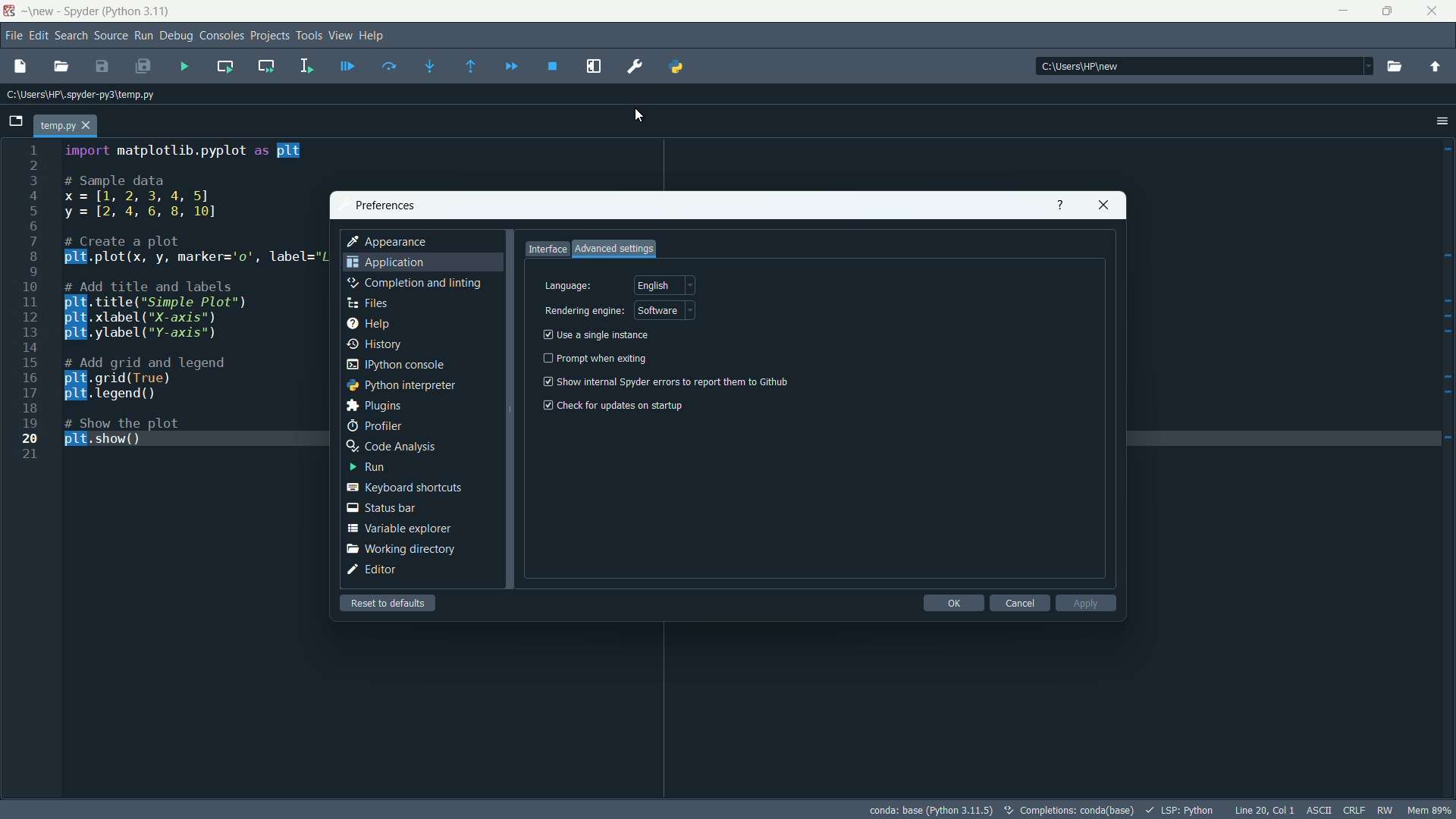 This screenshot has width=1456, height=819. What do you see at coordinates (398, 529) in the screenshot?
I see `variable explorer` at bounding box center [398, 529].